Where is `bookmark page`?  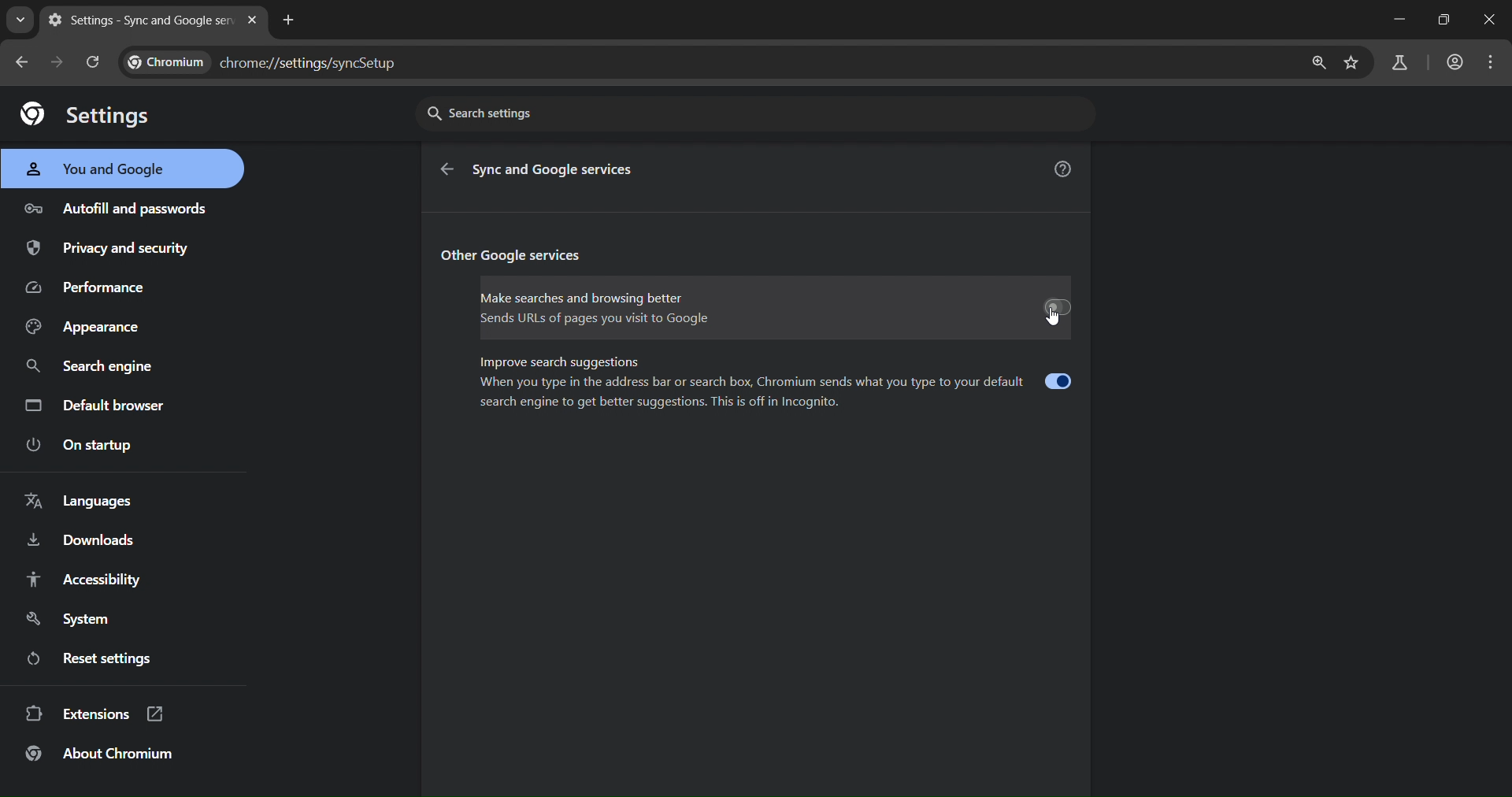 bookmark page is located at coordinates (1351, 66).